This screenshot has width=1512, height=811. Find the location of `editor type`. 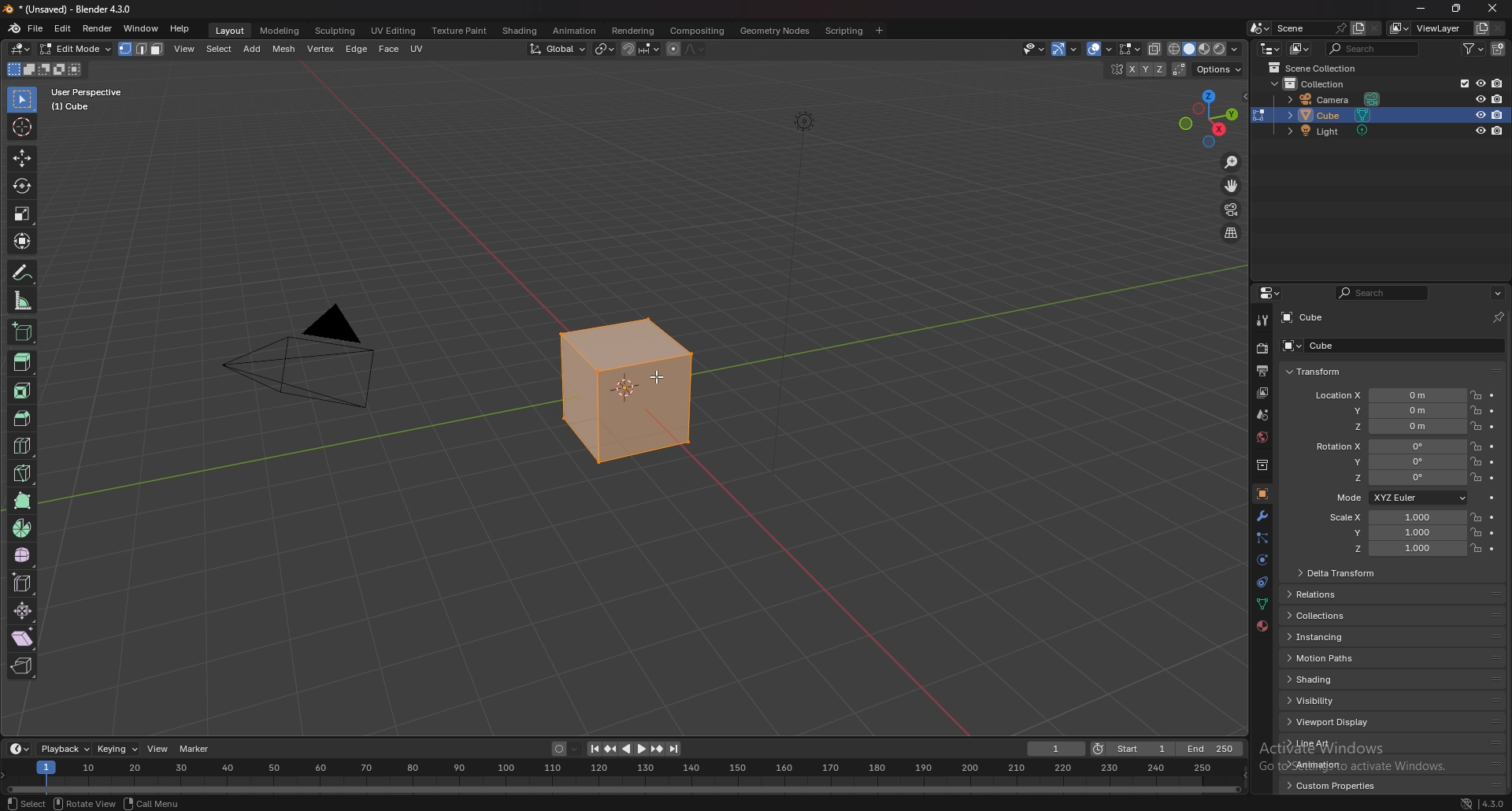

editor type is located at coordinates (21, 50).